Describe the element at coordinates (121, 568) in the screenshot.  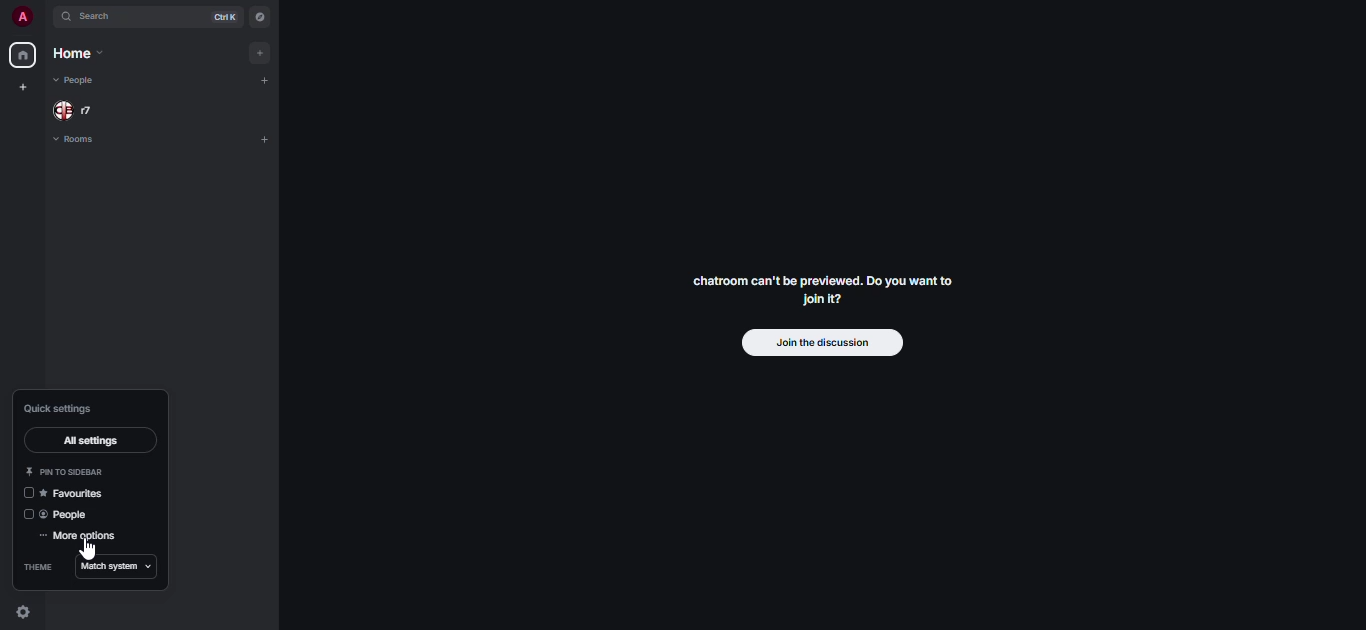
I see `match system` at that location.